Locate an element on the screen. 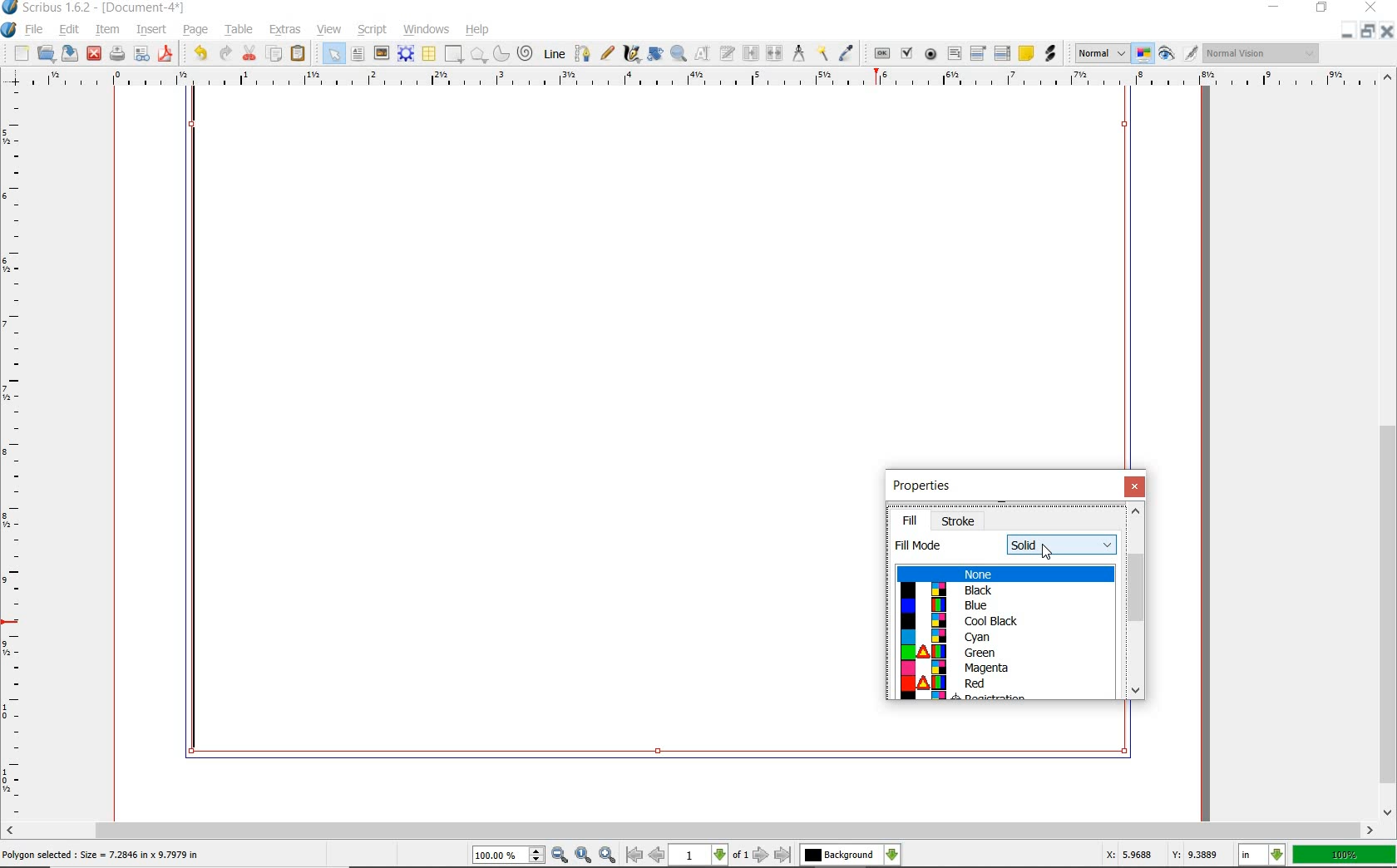 This screenshot has width=1397, height=868. 1 is located at coordinates (699, 856).